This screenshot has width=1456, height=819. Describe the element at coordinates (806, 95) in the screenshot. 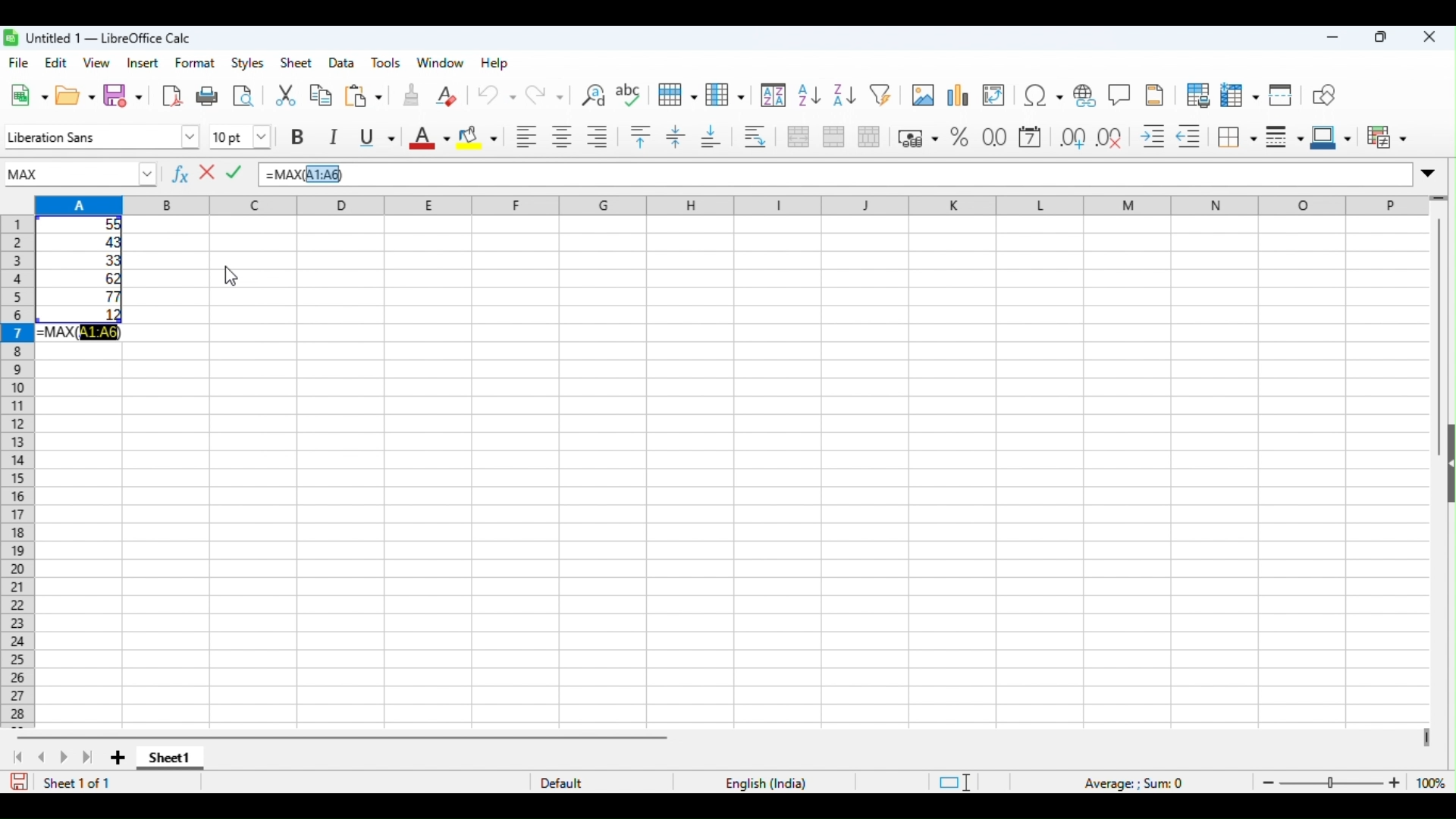

I see `sort ascending` at that location.